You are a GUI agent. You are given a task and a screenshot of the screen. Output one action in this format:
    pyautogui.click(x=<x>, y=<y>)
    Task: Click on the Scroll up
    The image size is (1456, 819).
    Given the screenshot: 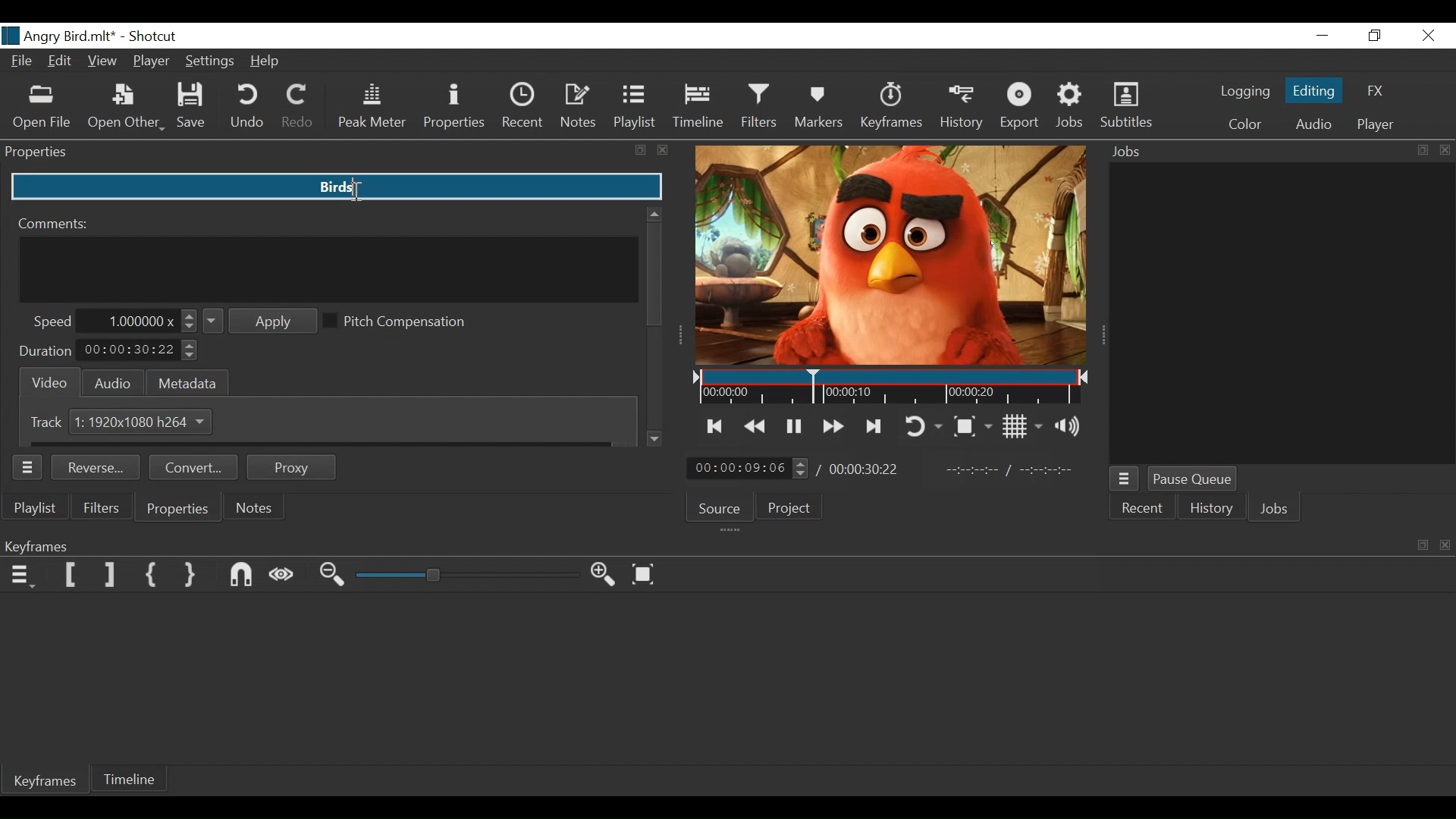 What is the action you would take?
    pyautogui.click(x=652, y=211)
    